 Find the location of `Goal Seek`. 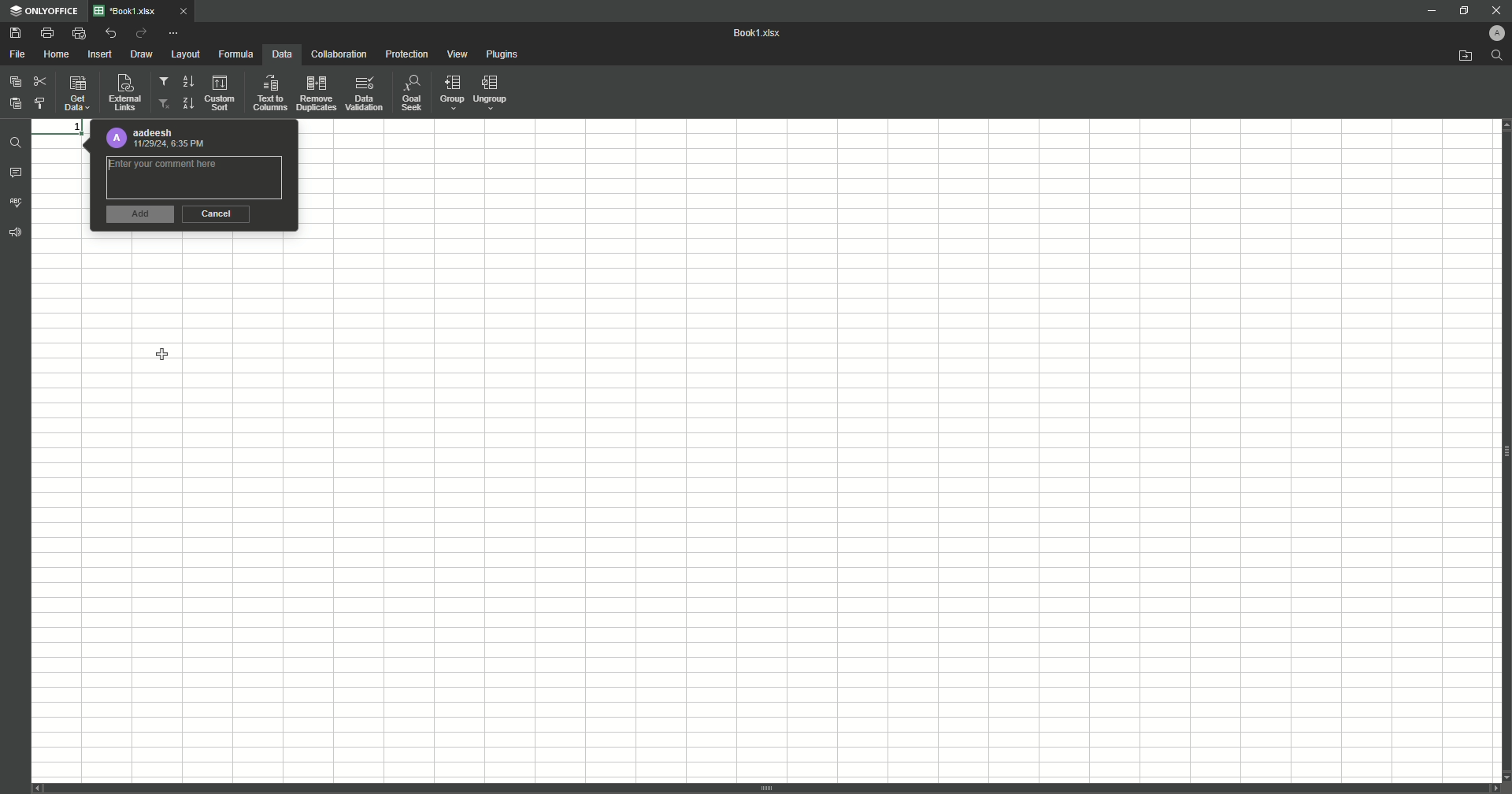

Goal Seek is located at coordinates (410, 95).